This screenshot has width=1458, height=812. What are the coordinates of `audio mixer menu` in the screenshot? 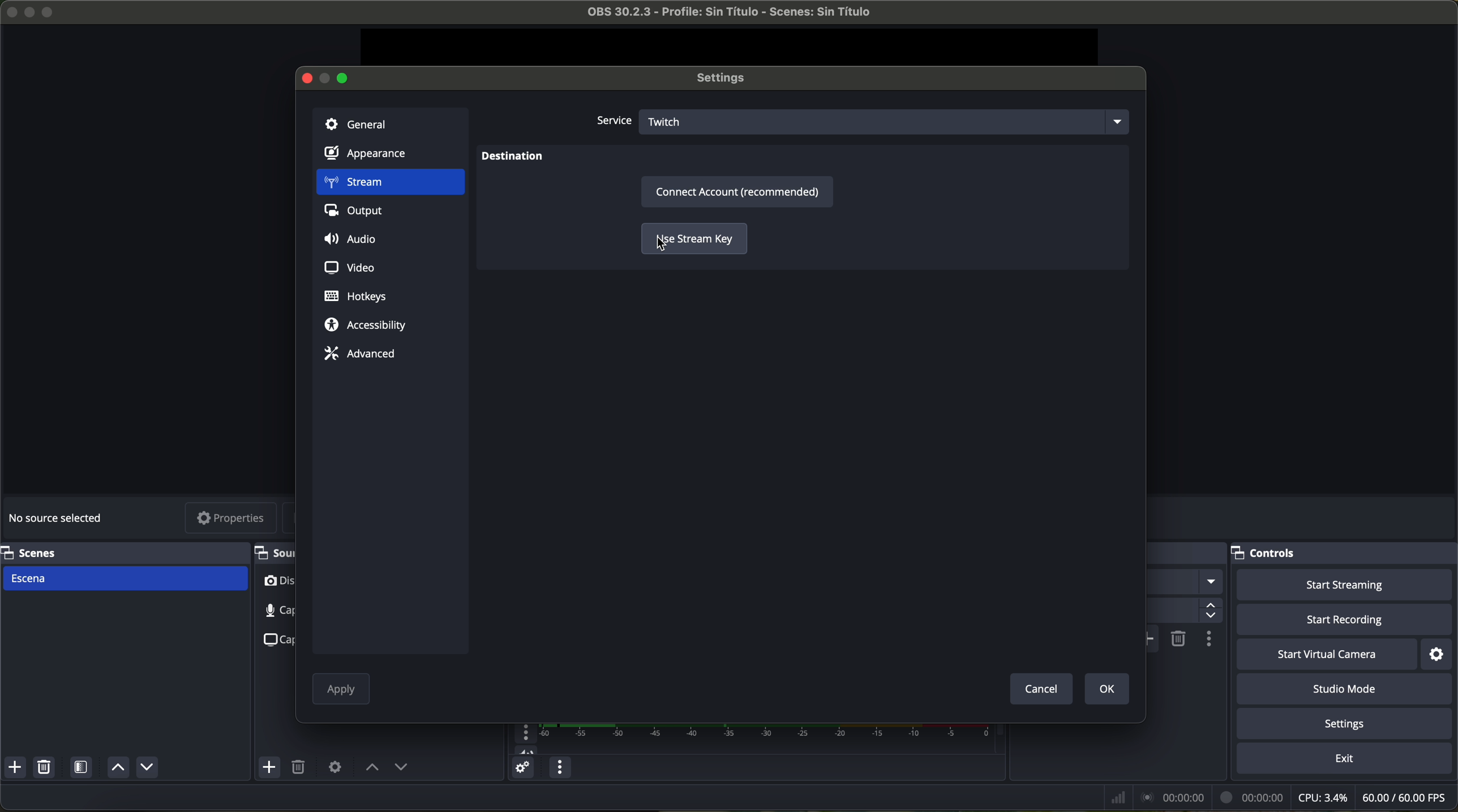 It's located at (558, 768).